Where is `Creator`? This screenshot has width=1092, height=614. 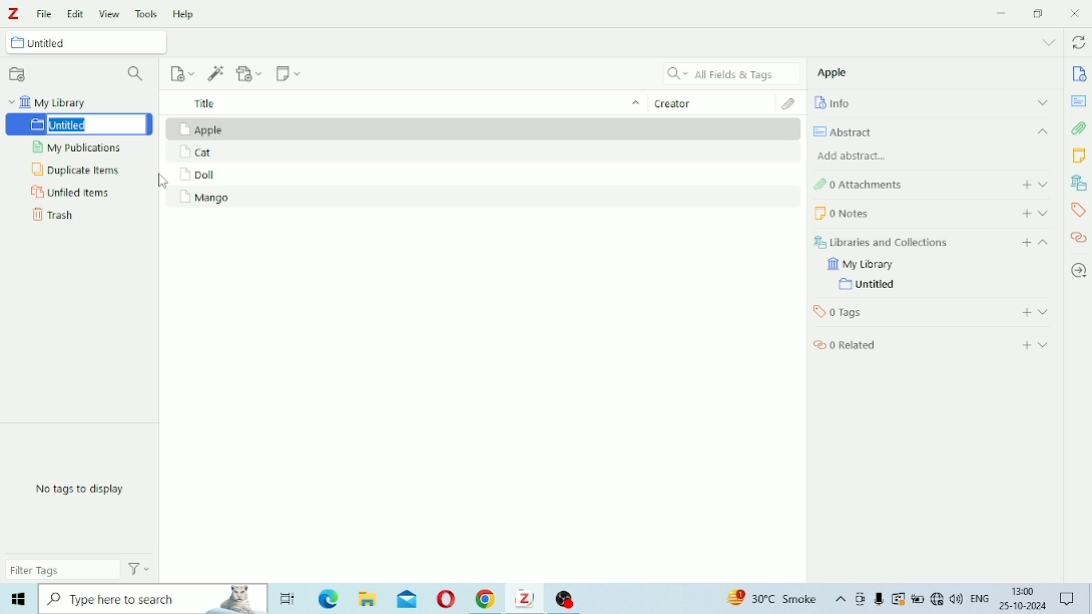
Creator is located at coordinates (715, 101).